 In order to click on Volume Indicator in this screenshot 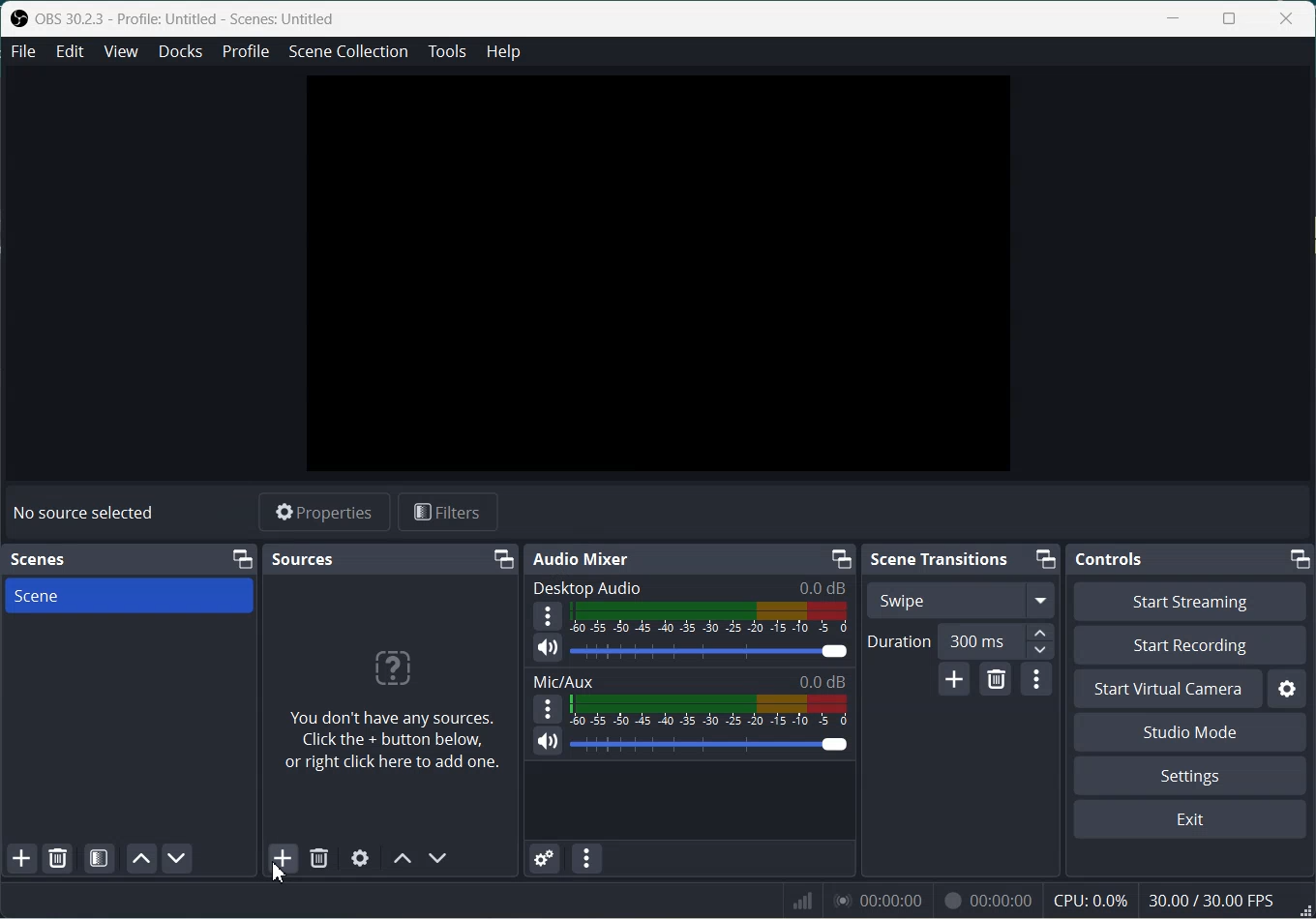, I will do `click(710, 712)`.